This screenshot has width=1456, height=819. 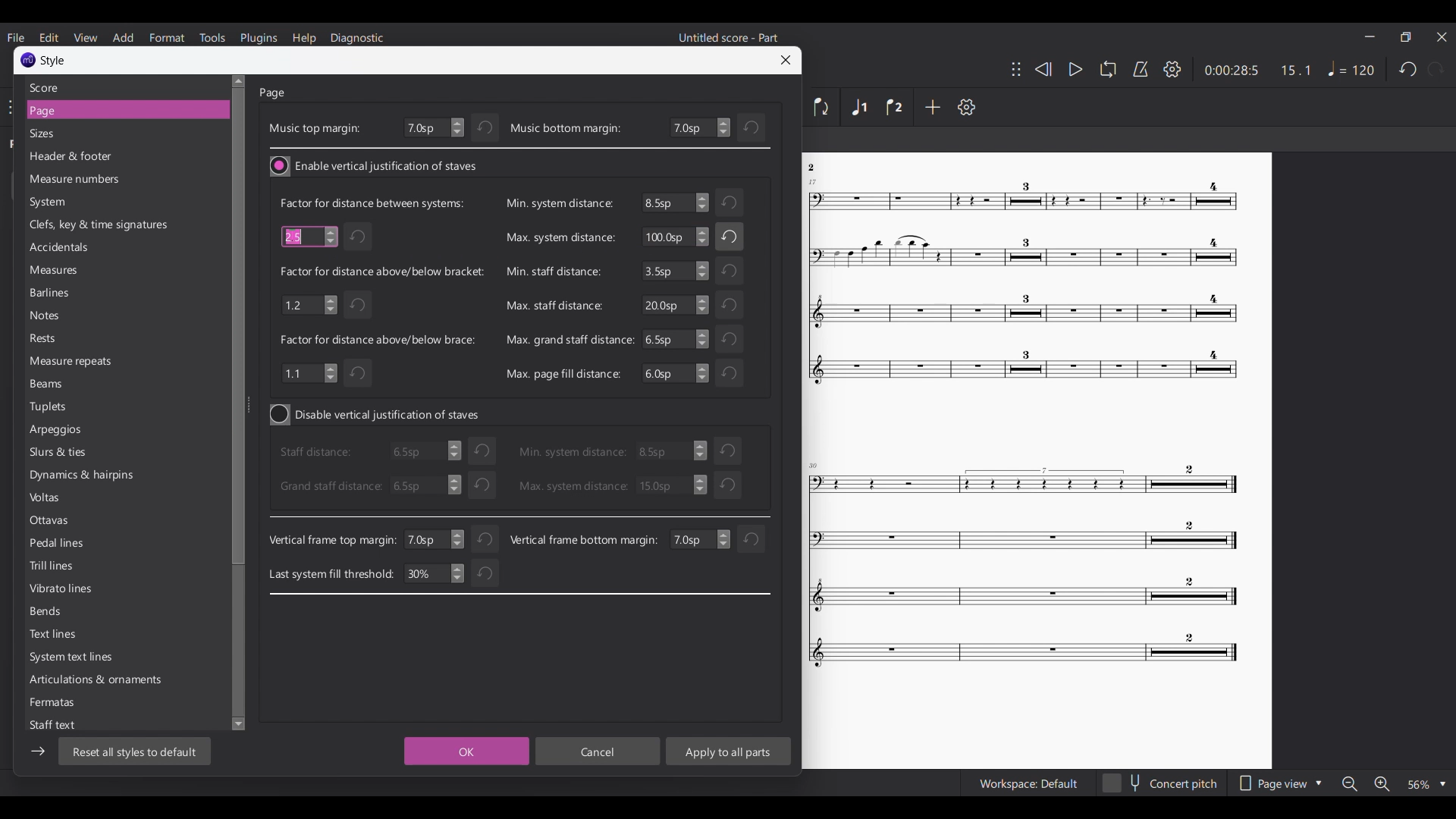 I want to click on Max. grand staff distance, so click(x=570, y=339).